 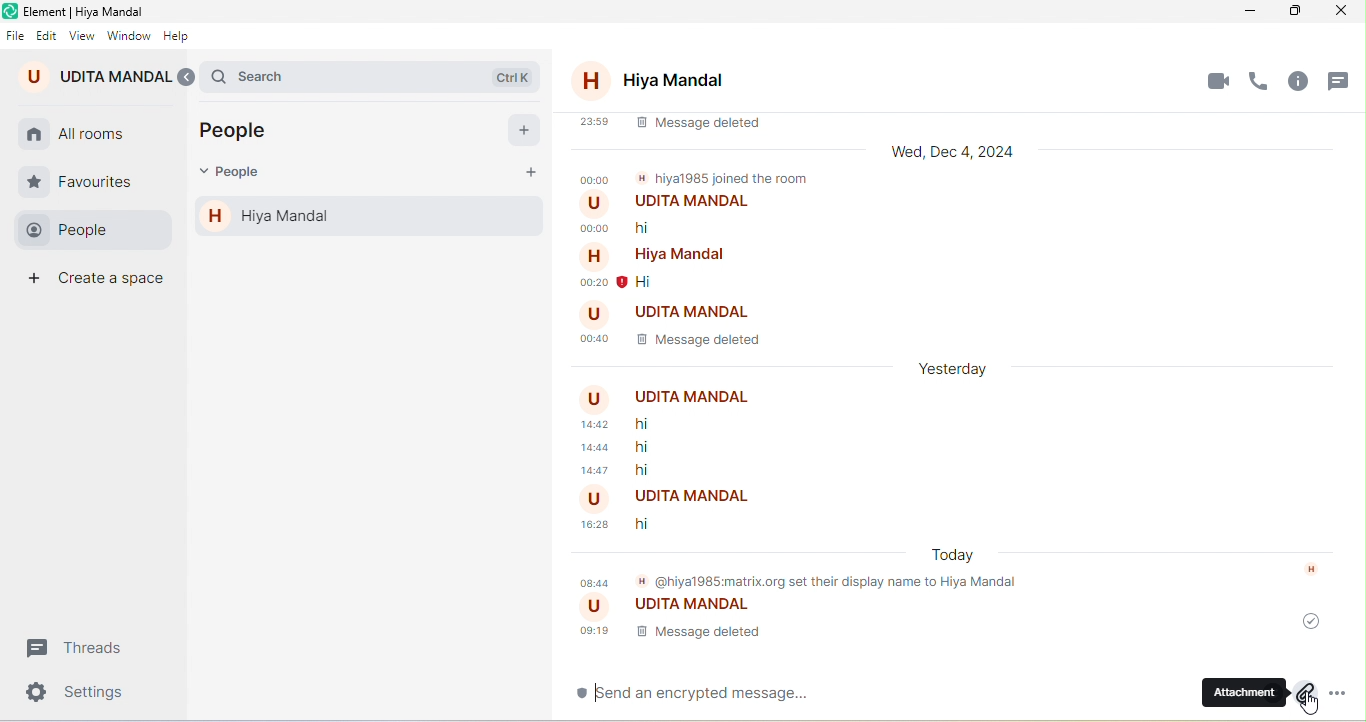 I want to click on h, so click(x=1316, y=570).